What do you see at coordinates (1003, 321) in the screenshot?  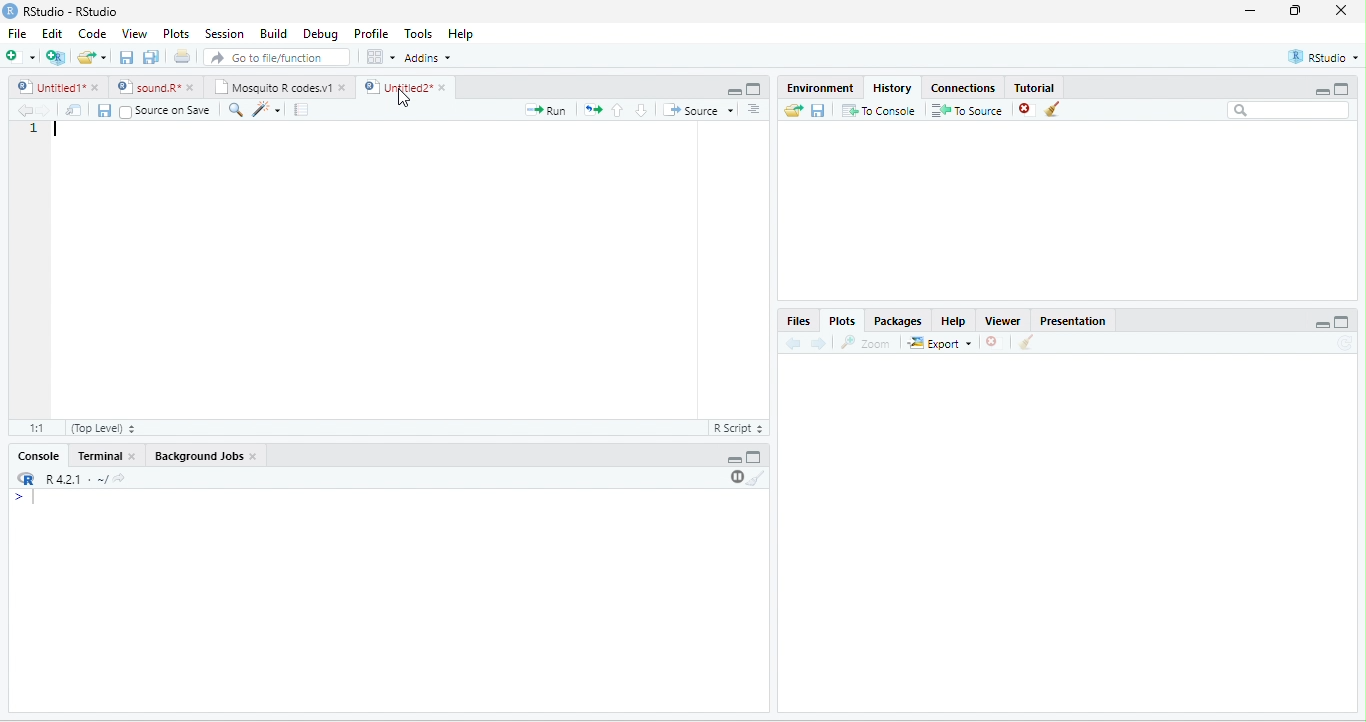 I see `Viewer` at bounding box center [1003, 321].